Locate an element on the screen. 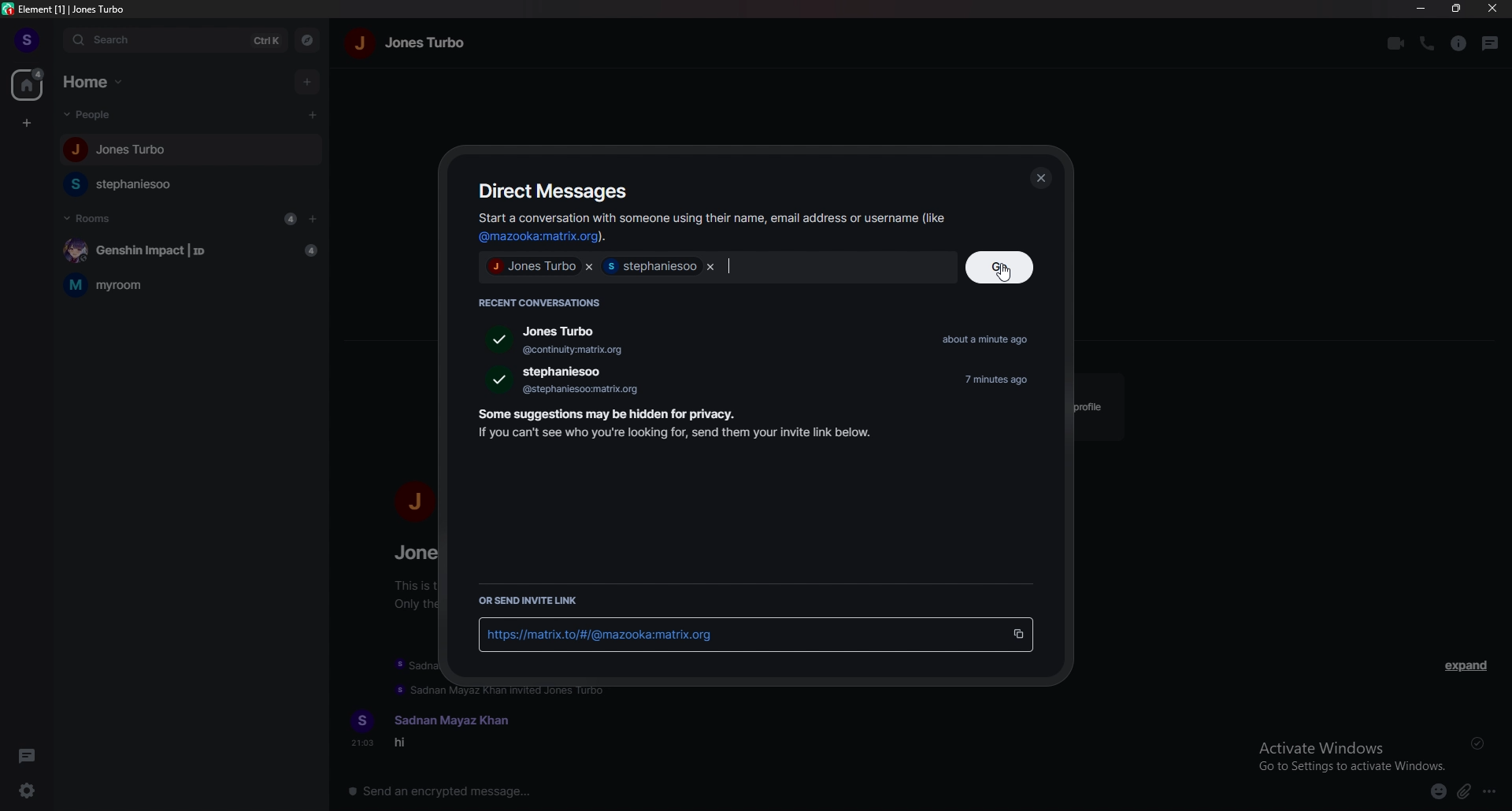 The width and height of the screenshot is (1512, 811). Some suggestions may be hidden for privacy. If you can't see who you're looking for, send them your invite link below. is located at coordinates (669, 427).